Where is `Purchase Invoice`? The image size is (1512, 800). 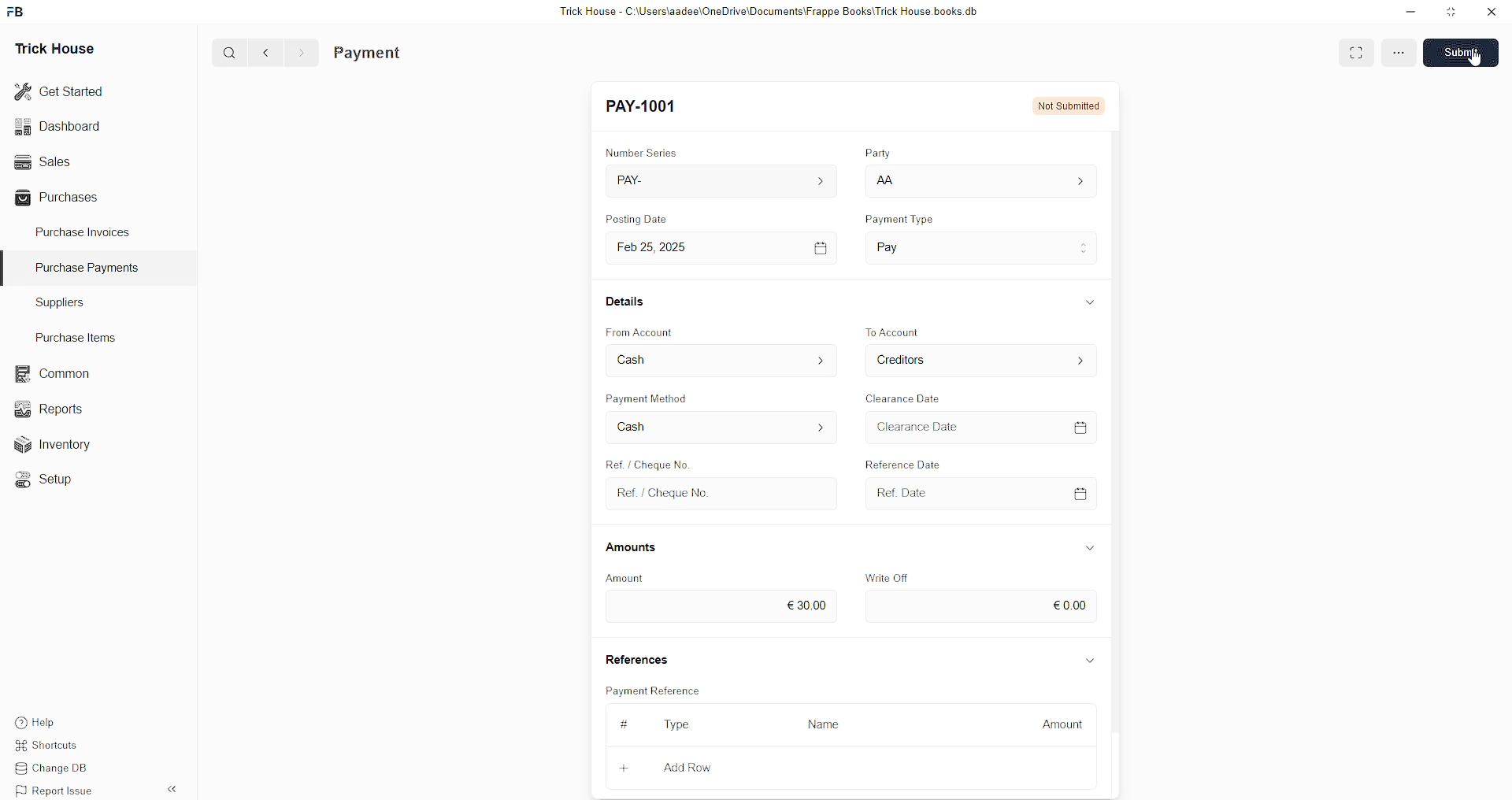
Purchase Invoice is located at coordinates (406, 53).